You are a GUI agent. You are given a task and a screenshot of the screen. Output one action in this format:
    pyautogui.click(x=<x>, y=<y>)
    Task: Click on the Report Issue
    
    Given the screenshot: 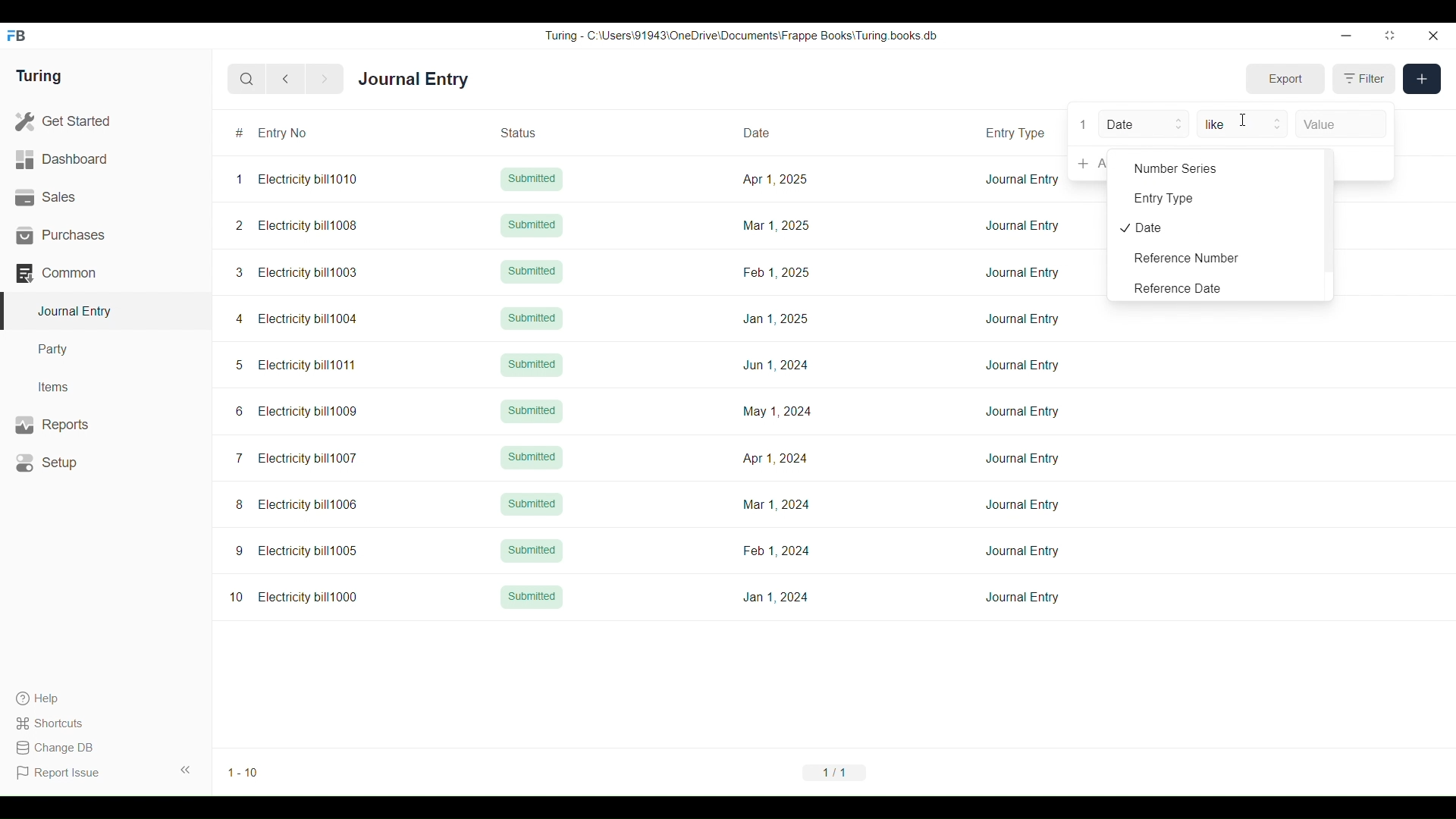 What is the action you would take?
    pyautogui.click(x=58, y=773)
    